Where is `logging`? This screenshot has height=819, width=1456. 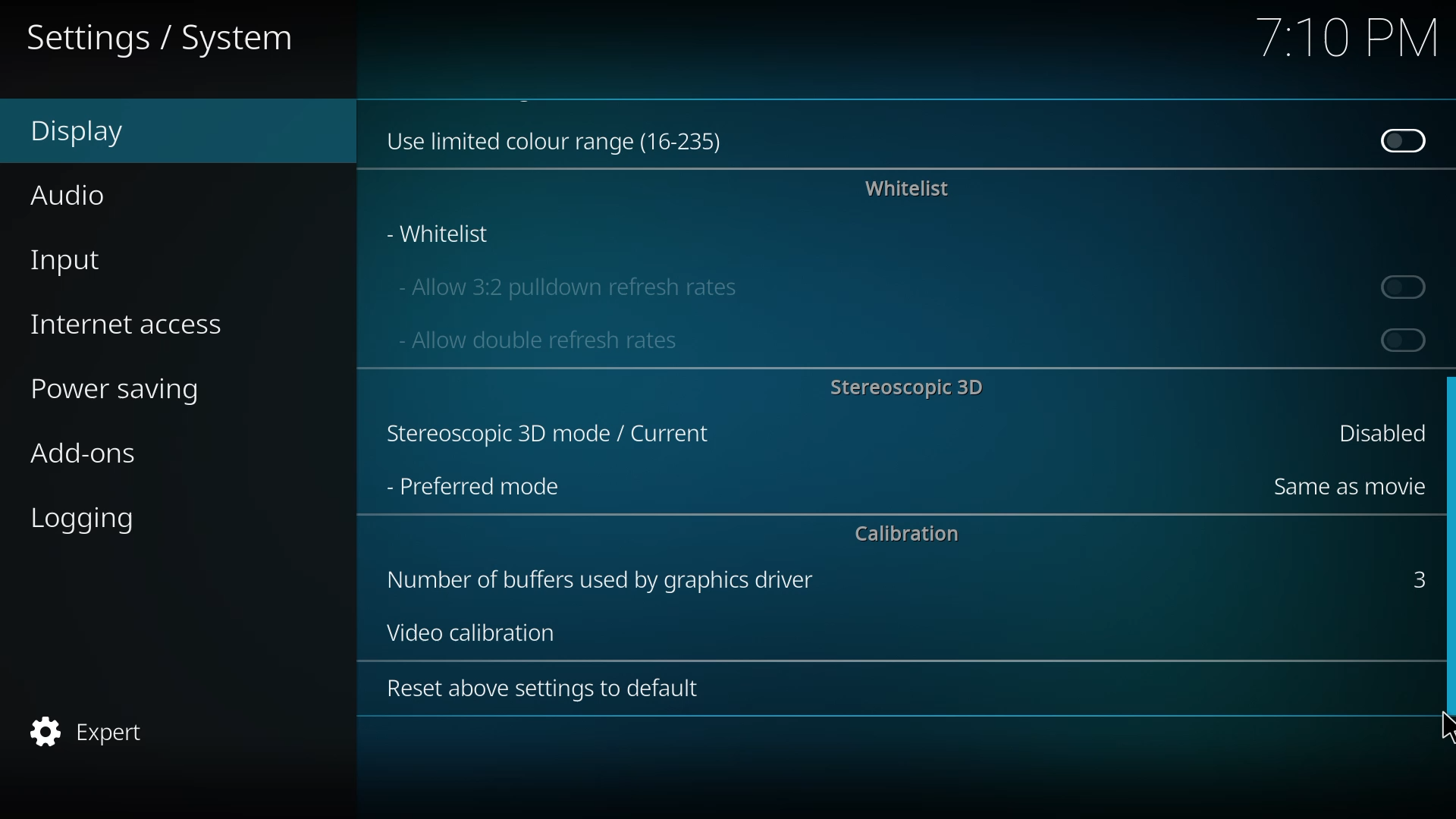
logging is located at coordinates (89, 519).